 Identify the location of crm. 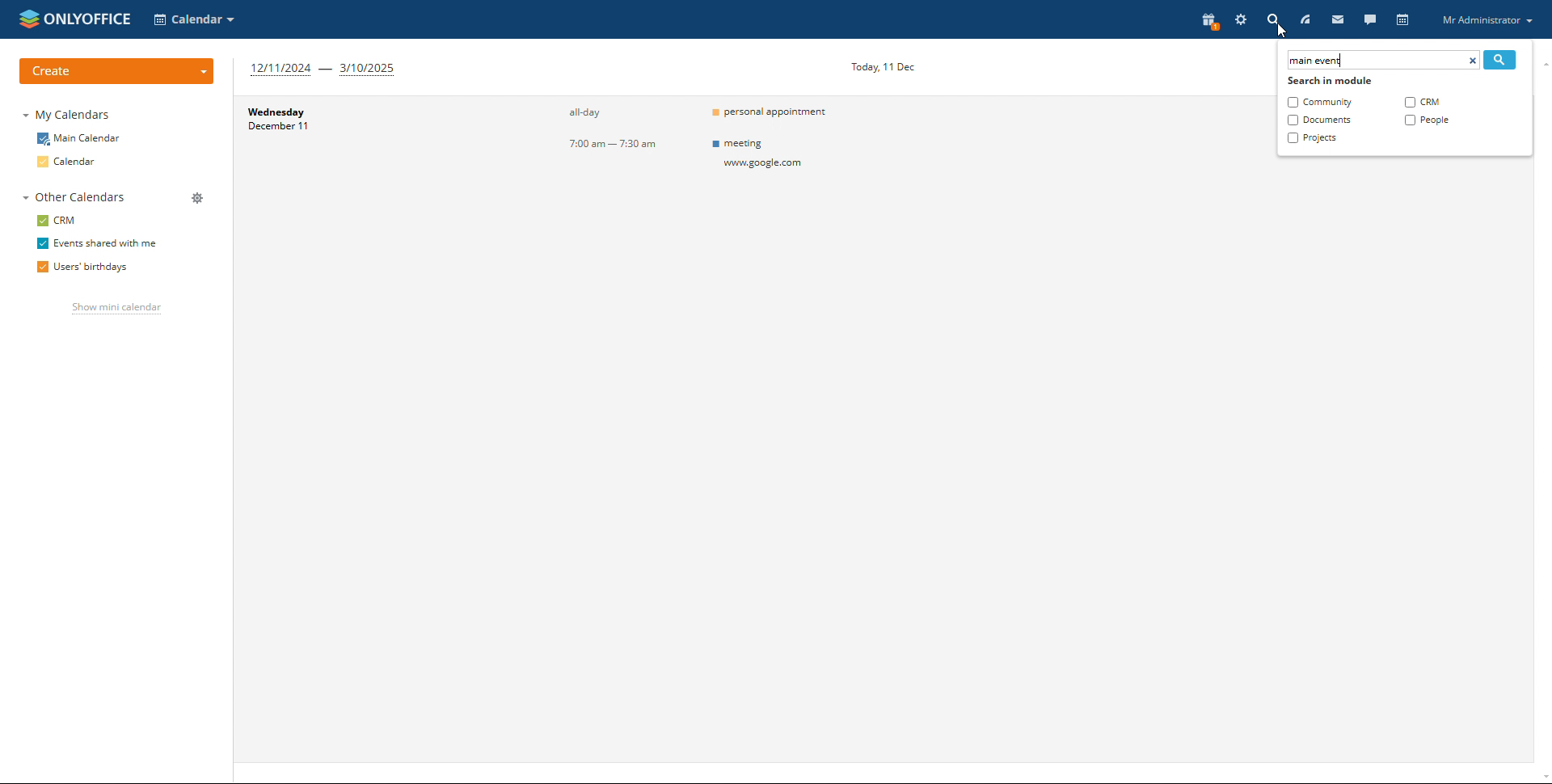
(55, 220).